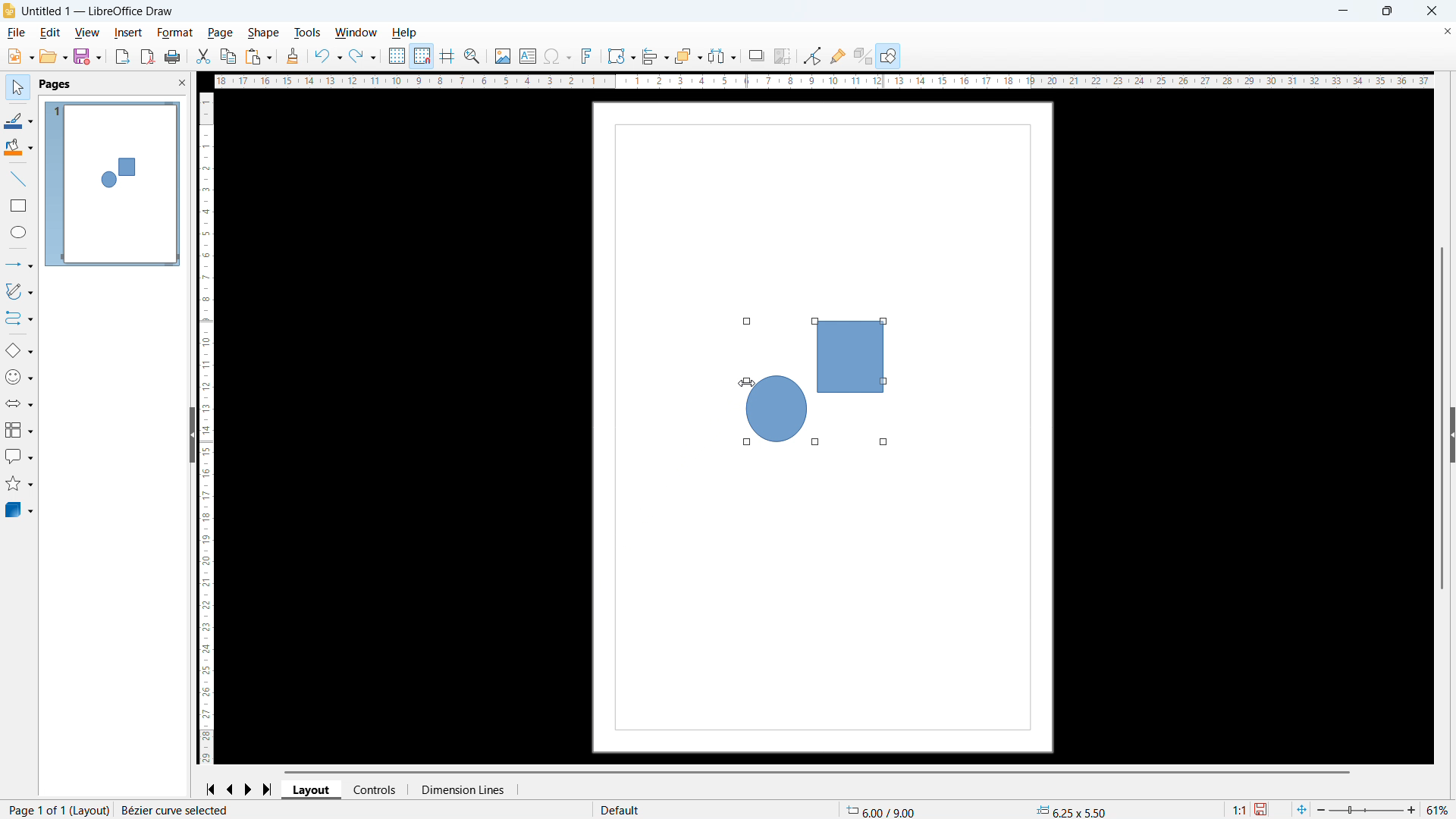  I want to click on Select at least three objects to distribute , so click(722, 55).